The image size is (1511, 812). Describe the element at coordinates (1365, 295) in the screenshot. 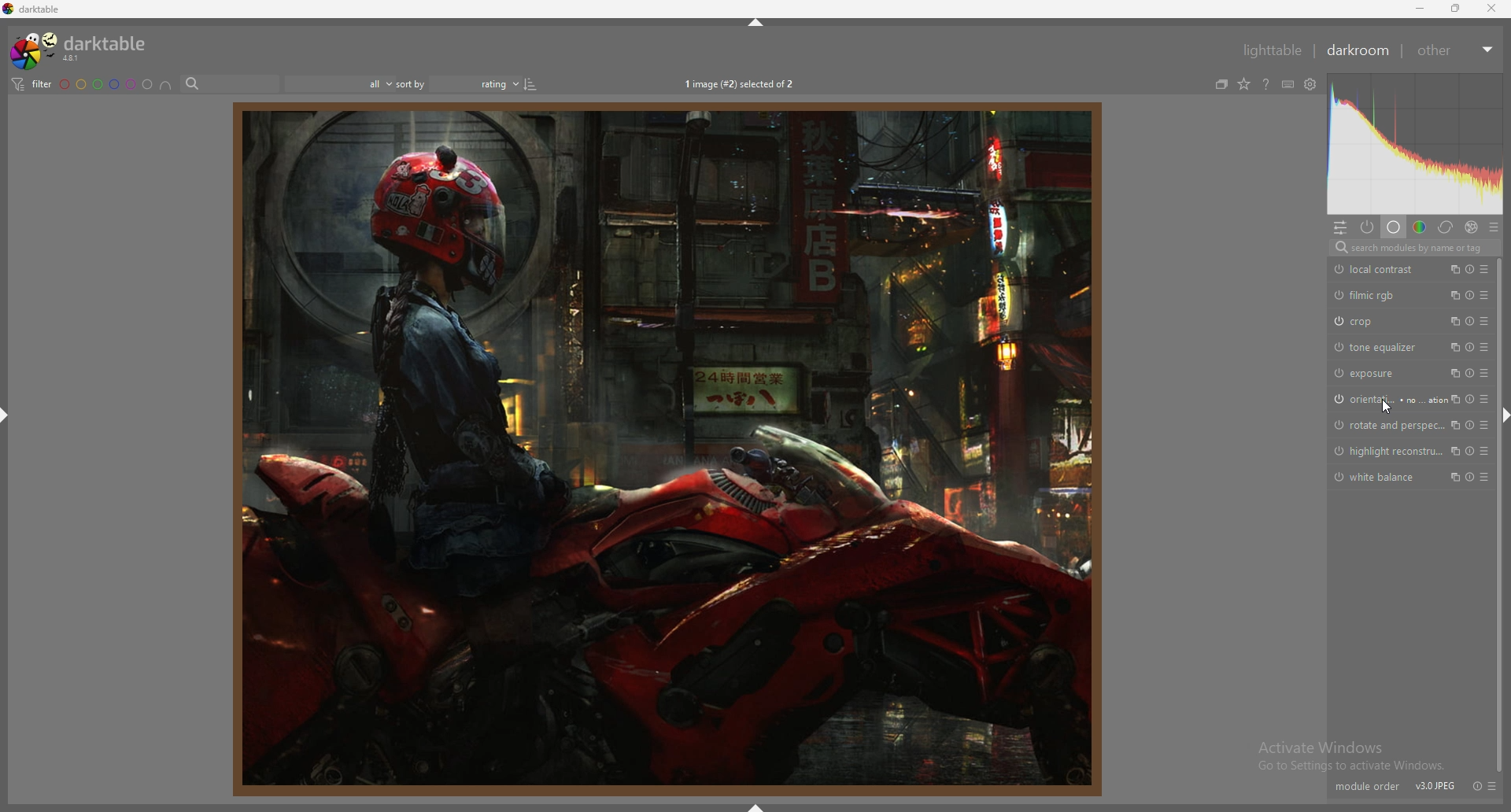

I see `filmic rgb` at that location.